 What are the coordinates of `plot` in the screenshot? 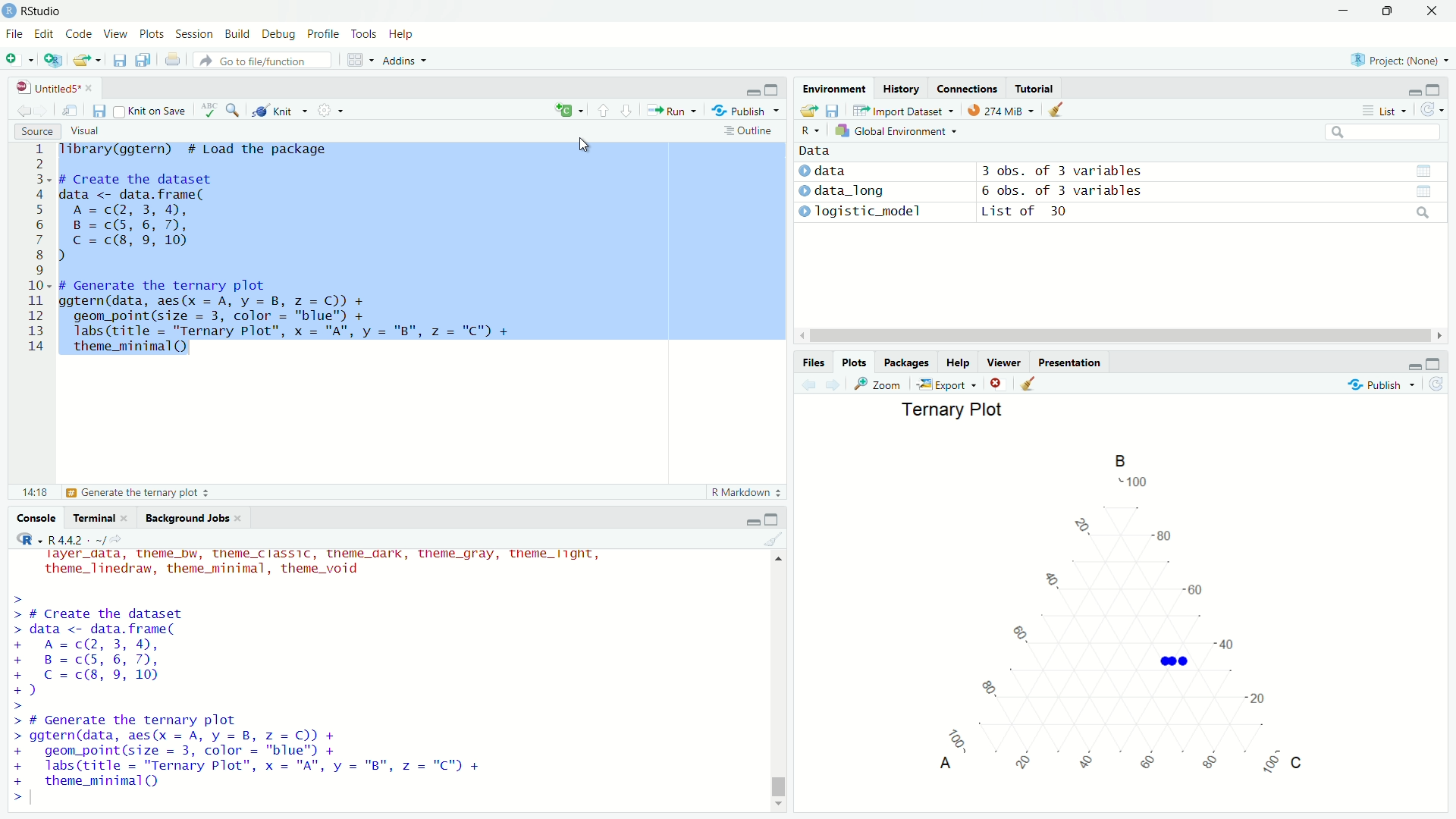 It's located at (1090, 617).